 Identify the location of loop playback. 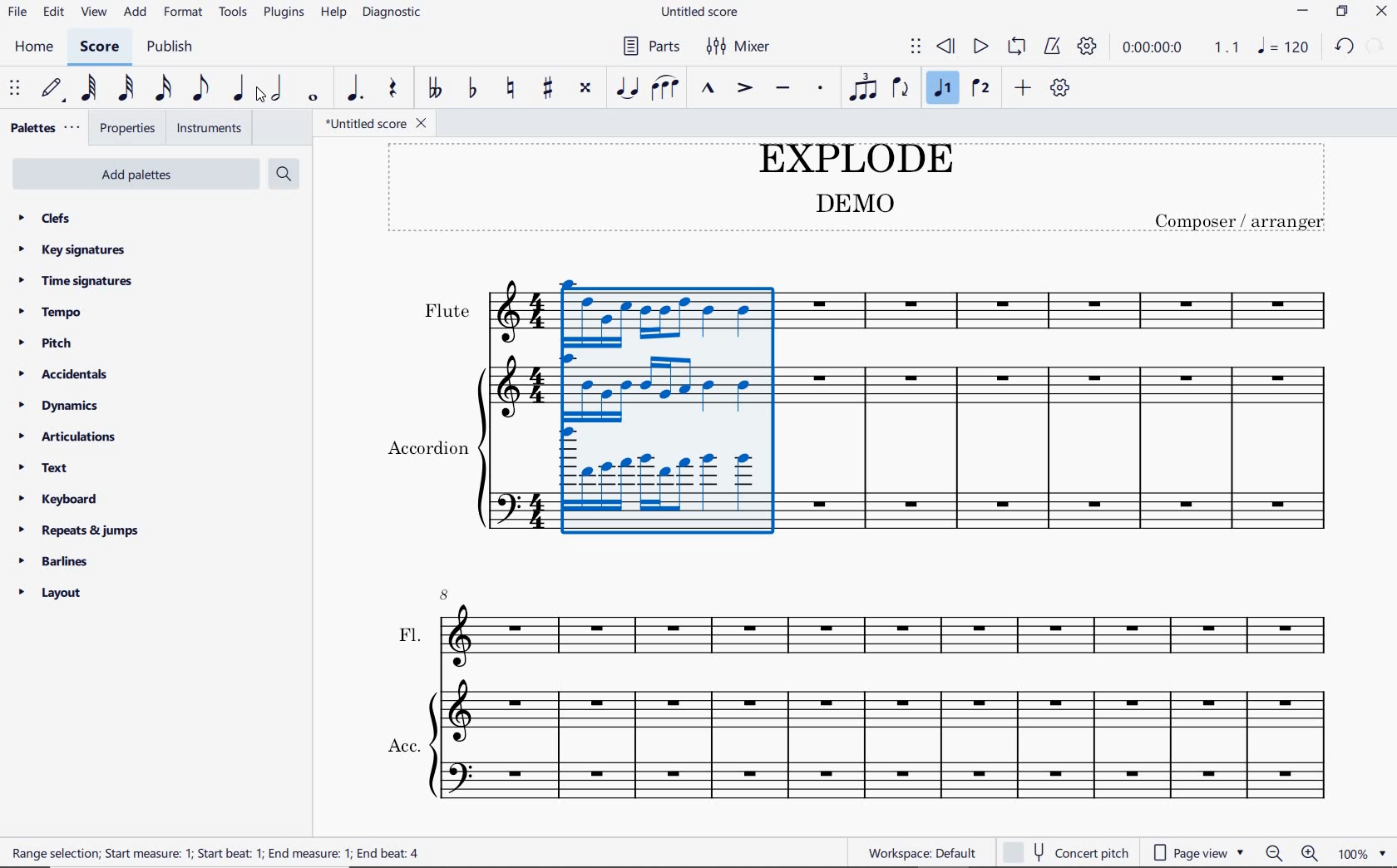
(1016, 48).